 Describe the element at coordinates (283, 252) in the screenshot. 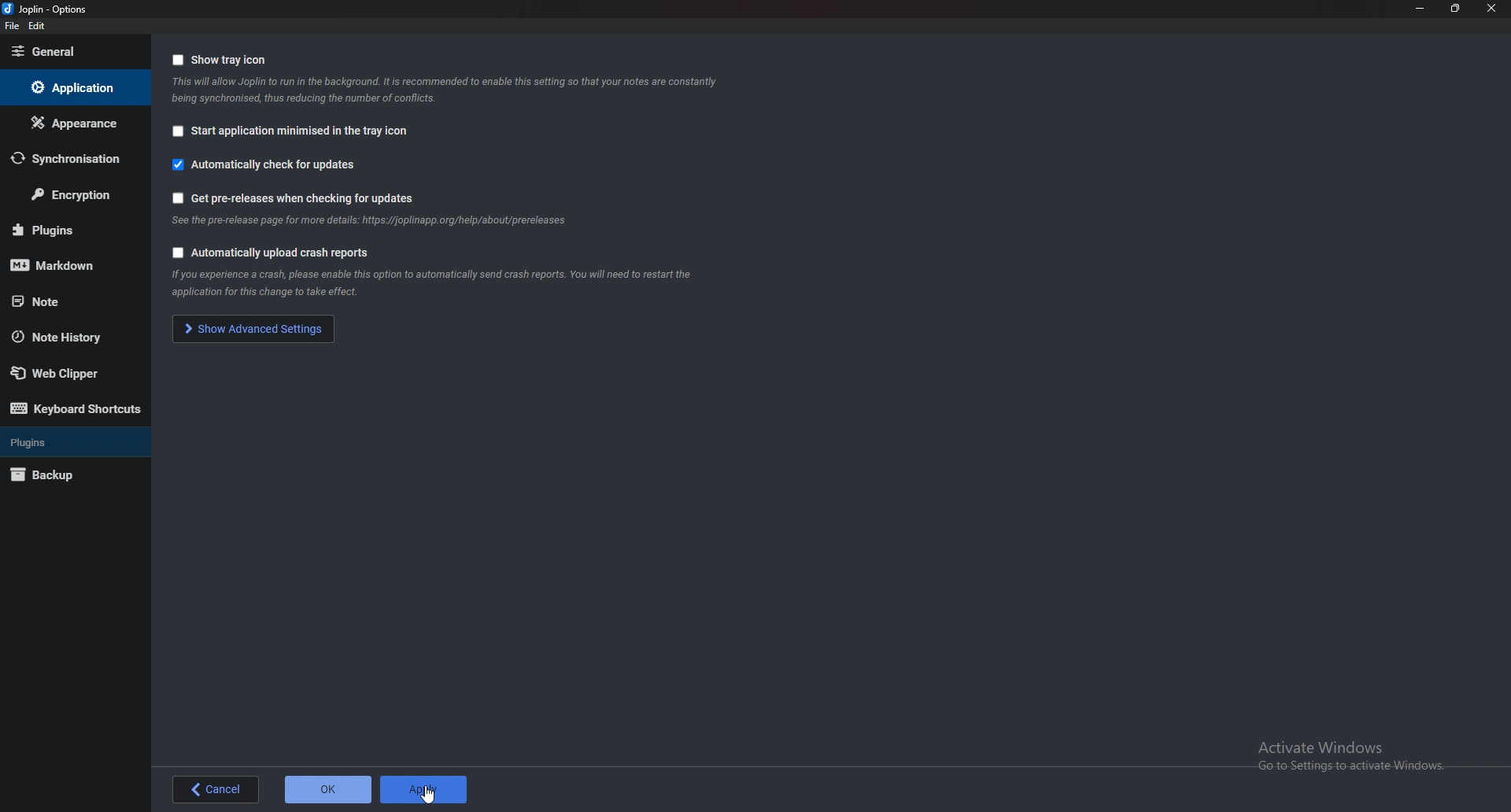

I see `Automatically upload crash reports` at that location.